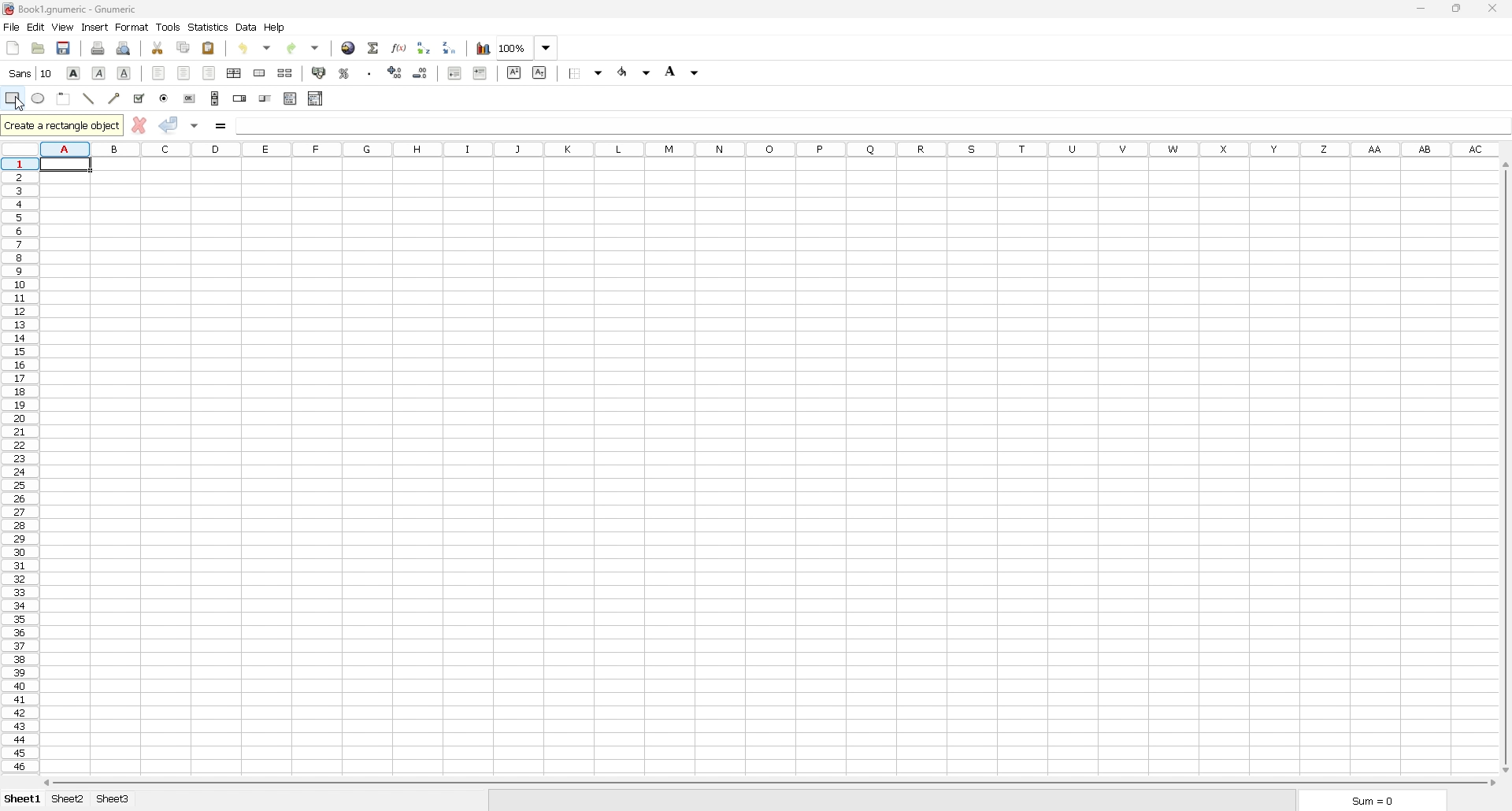 This screenshot has height=811, width=1512. Describe the element at coordinates (421, 72) in the screenshot. I see `decrease decimal` at that location.